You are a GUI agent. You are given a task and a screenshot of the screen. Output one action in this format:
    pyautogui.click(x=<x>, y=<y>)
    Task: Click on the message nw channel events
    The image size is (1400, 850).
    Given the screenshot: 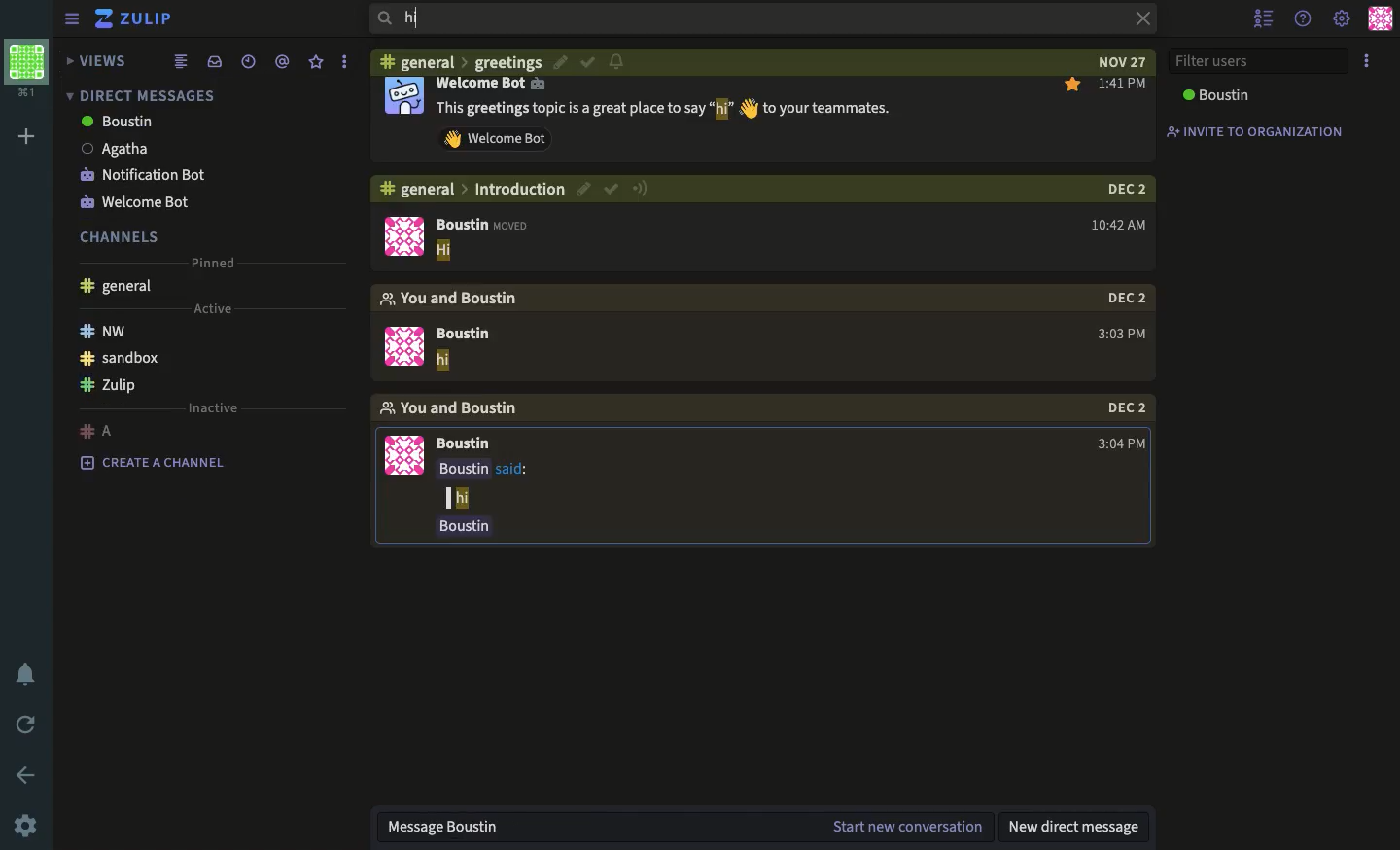 What is the action you would take?
    pyautogui.click(x=497, y=827)
    